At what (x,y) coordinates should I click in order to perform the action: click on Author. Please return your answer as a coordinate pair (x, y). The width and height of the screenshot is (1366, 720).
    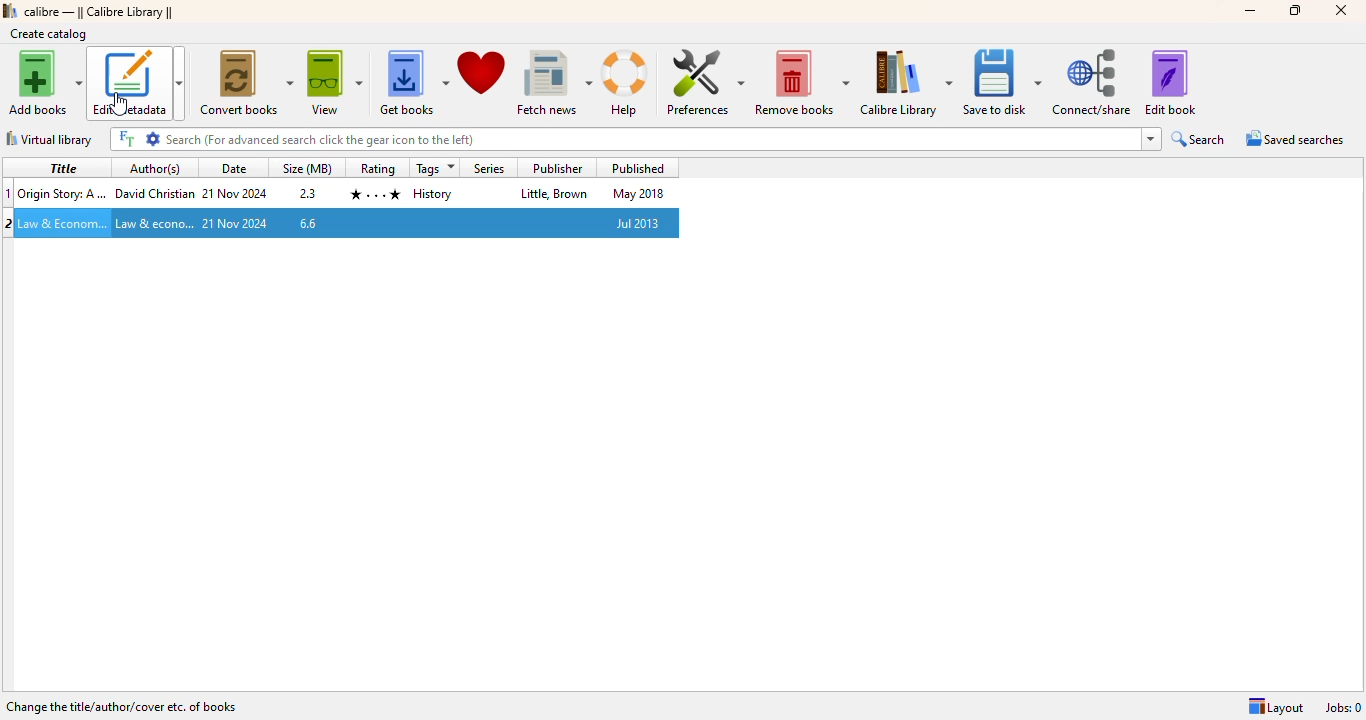
    Looking at the image, I should click on (154, 223).